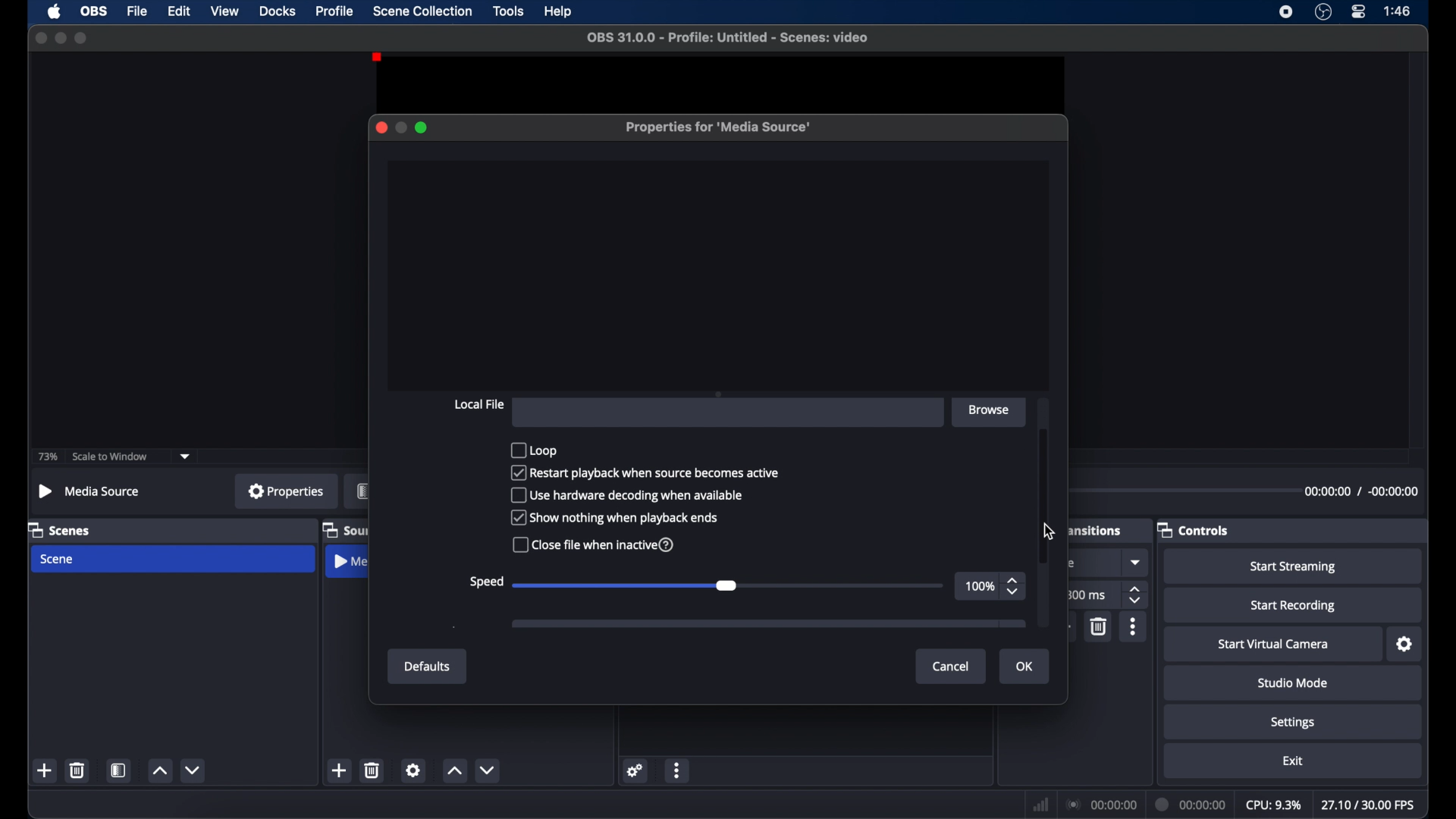  What do you see at coordinates (677, 772) in the screenshot?
I see `more options` at bounding box center [677, 772].